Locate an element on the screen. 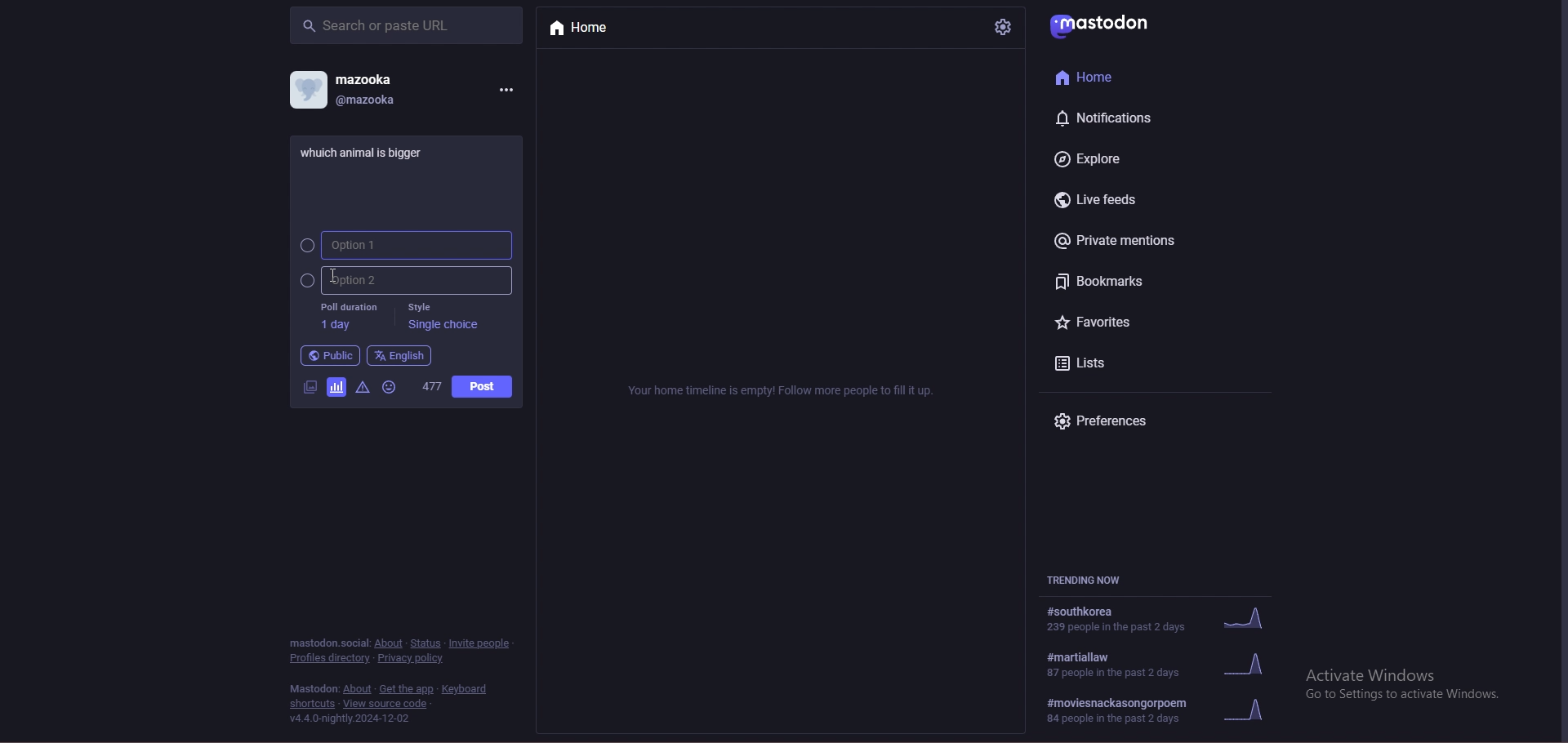 Image resolution: width=1568 pixels, height=743 pixels. about is located at coordinates (390, 643).